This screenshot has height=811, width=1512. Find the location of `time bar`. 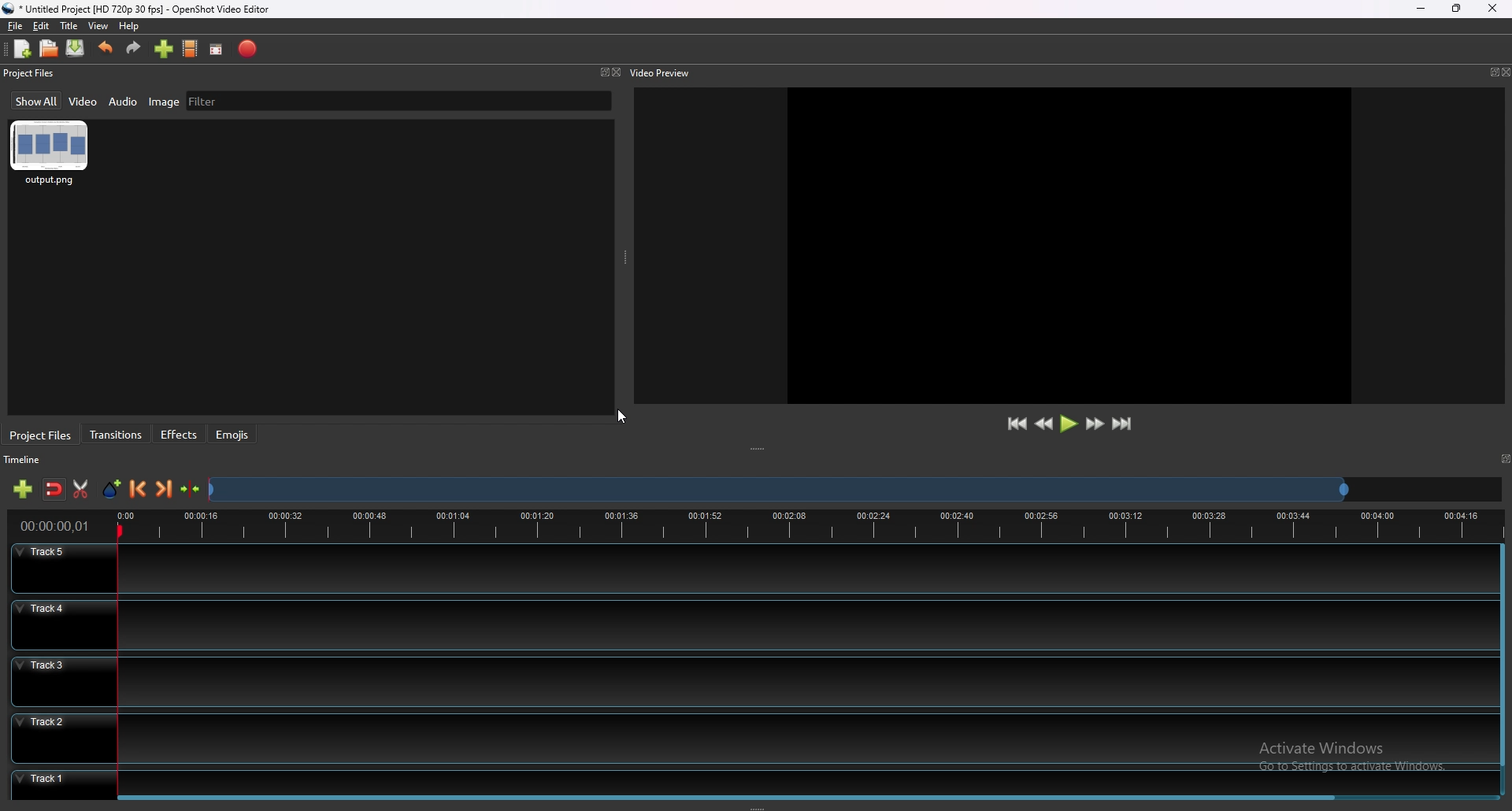

time bar is located at coordinates (806, 524).